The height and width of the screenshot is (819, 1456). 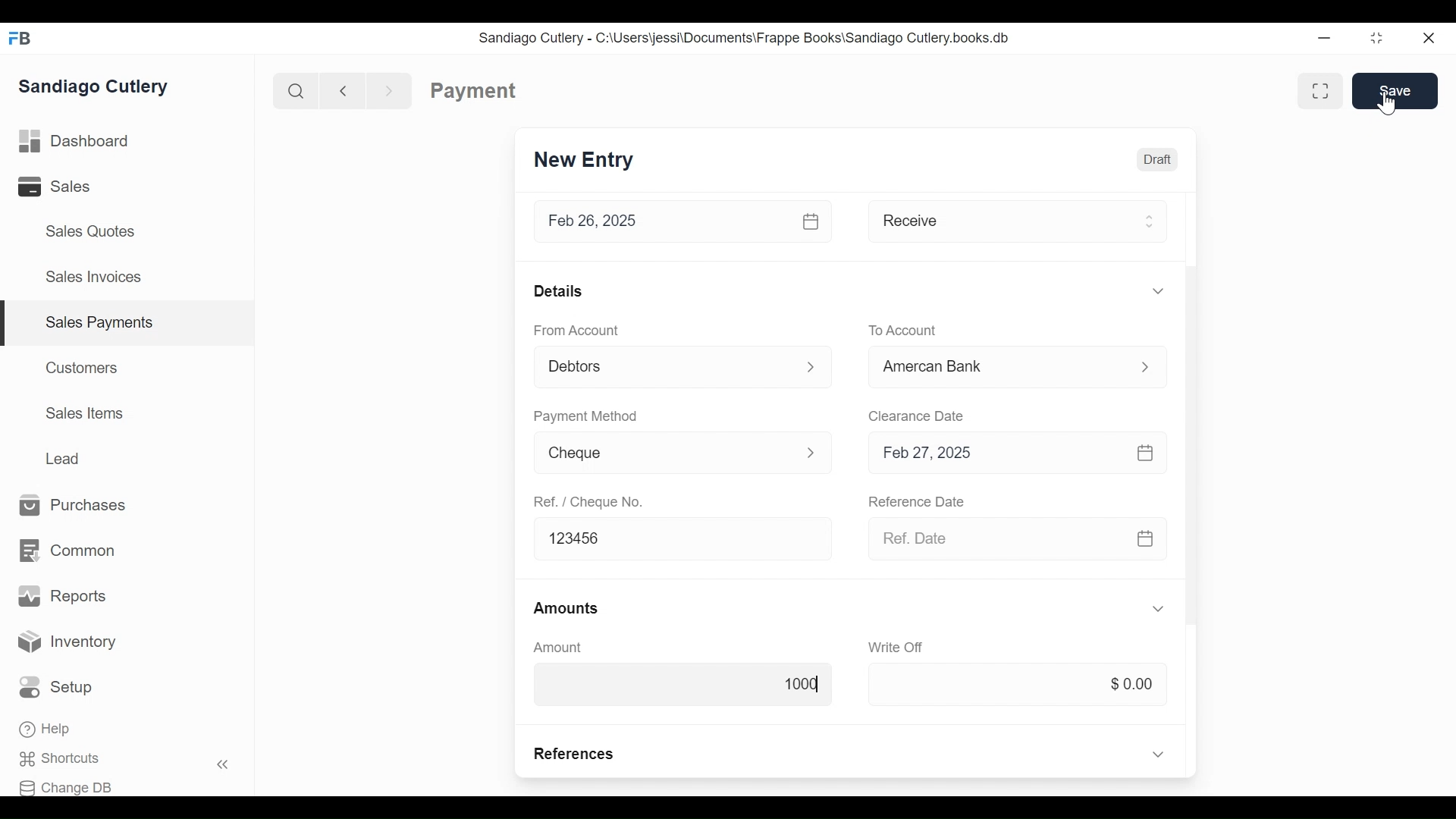 What do you see at coordinates (994, 538) in the screenshot?
I see `Ref. Date` at bounding box center [994, 538].